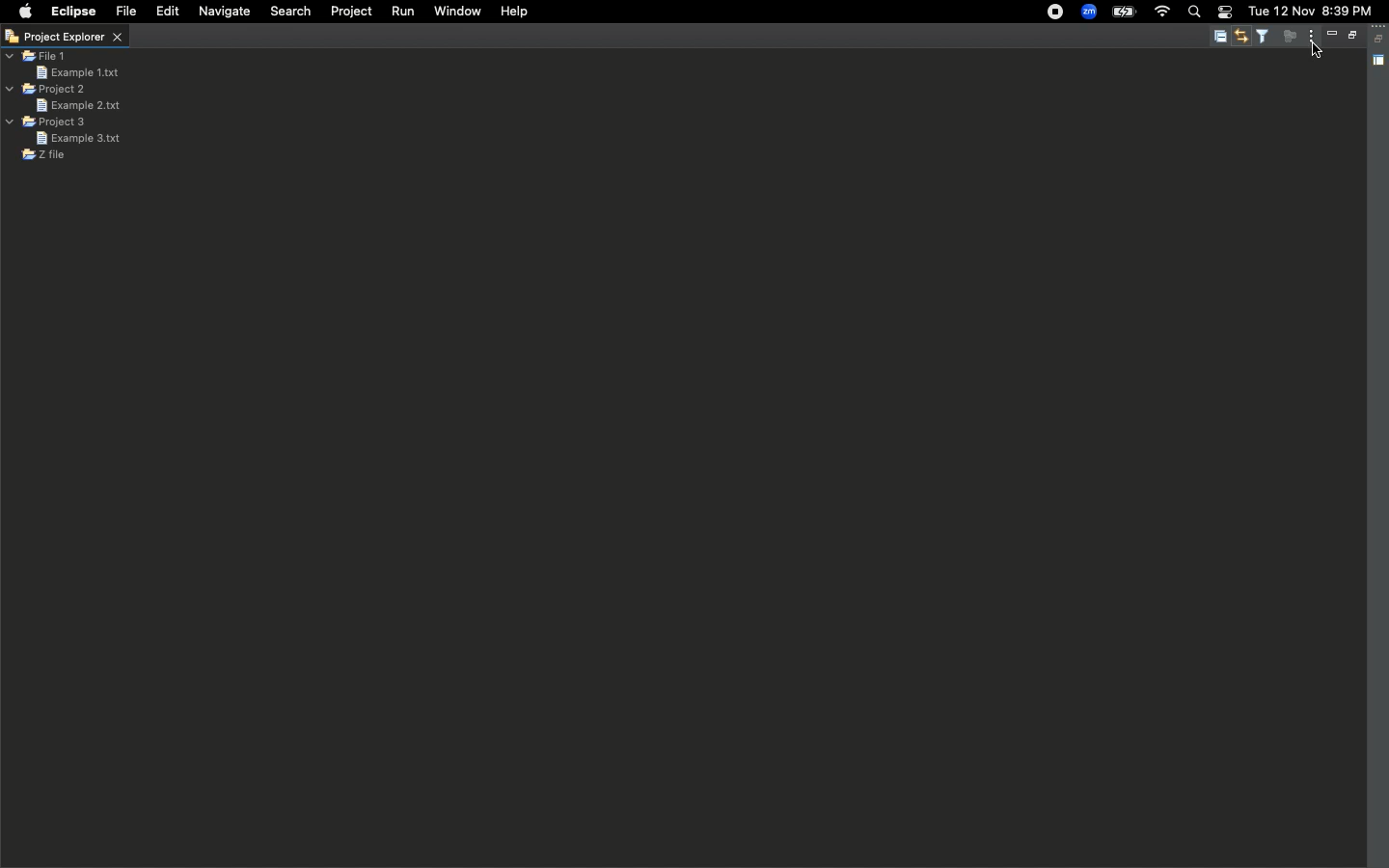  Describe the element at coordinates (1307, 37) in the screenshot. I see `View menu` at that location.